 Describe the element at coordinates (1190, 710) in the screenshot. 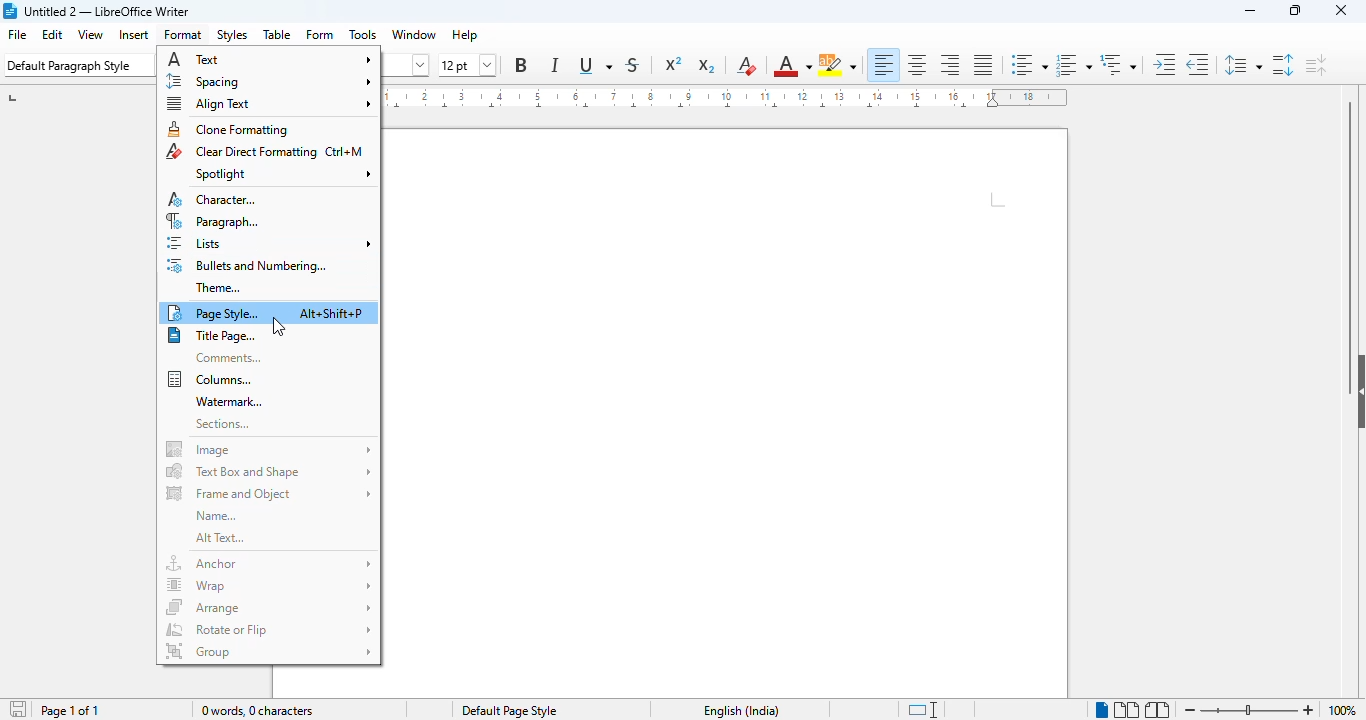

I see `zoom out` at that location.